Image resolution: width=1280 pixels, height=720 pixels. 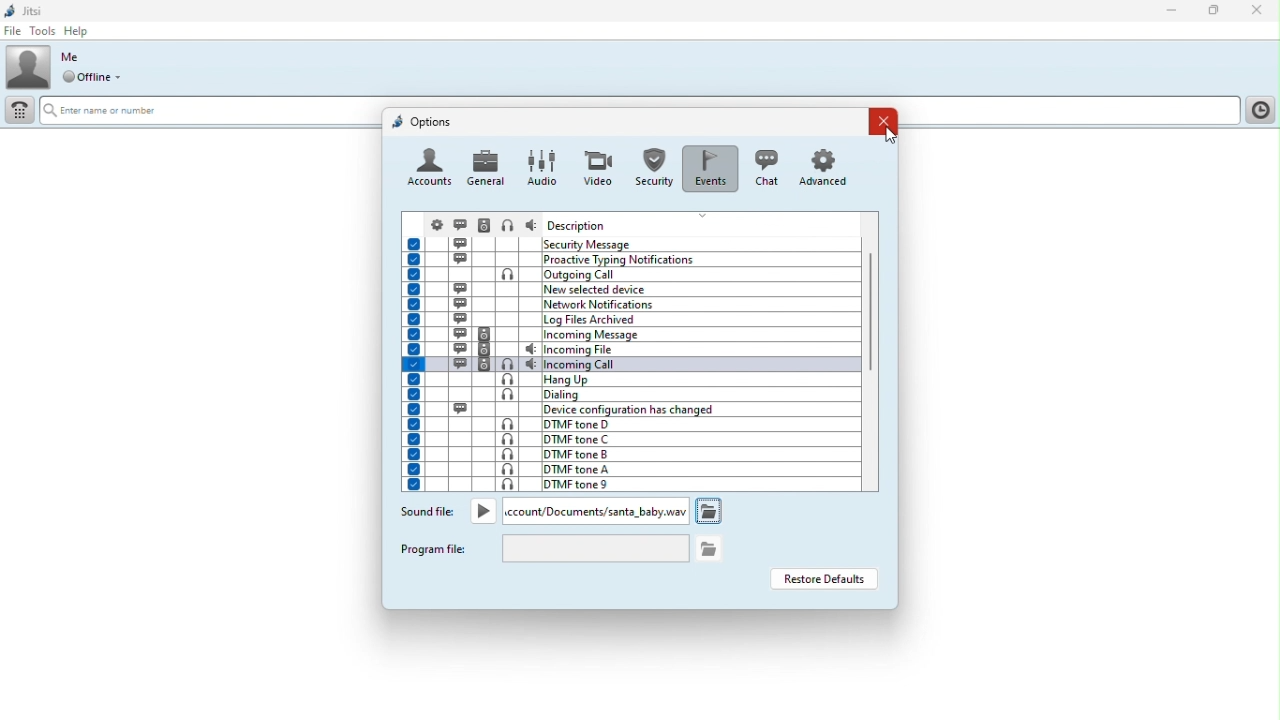 What do you see at coordinates (883, 120) in the screenshot?
I see `Close` at bounding box center [883, 120].